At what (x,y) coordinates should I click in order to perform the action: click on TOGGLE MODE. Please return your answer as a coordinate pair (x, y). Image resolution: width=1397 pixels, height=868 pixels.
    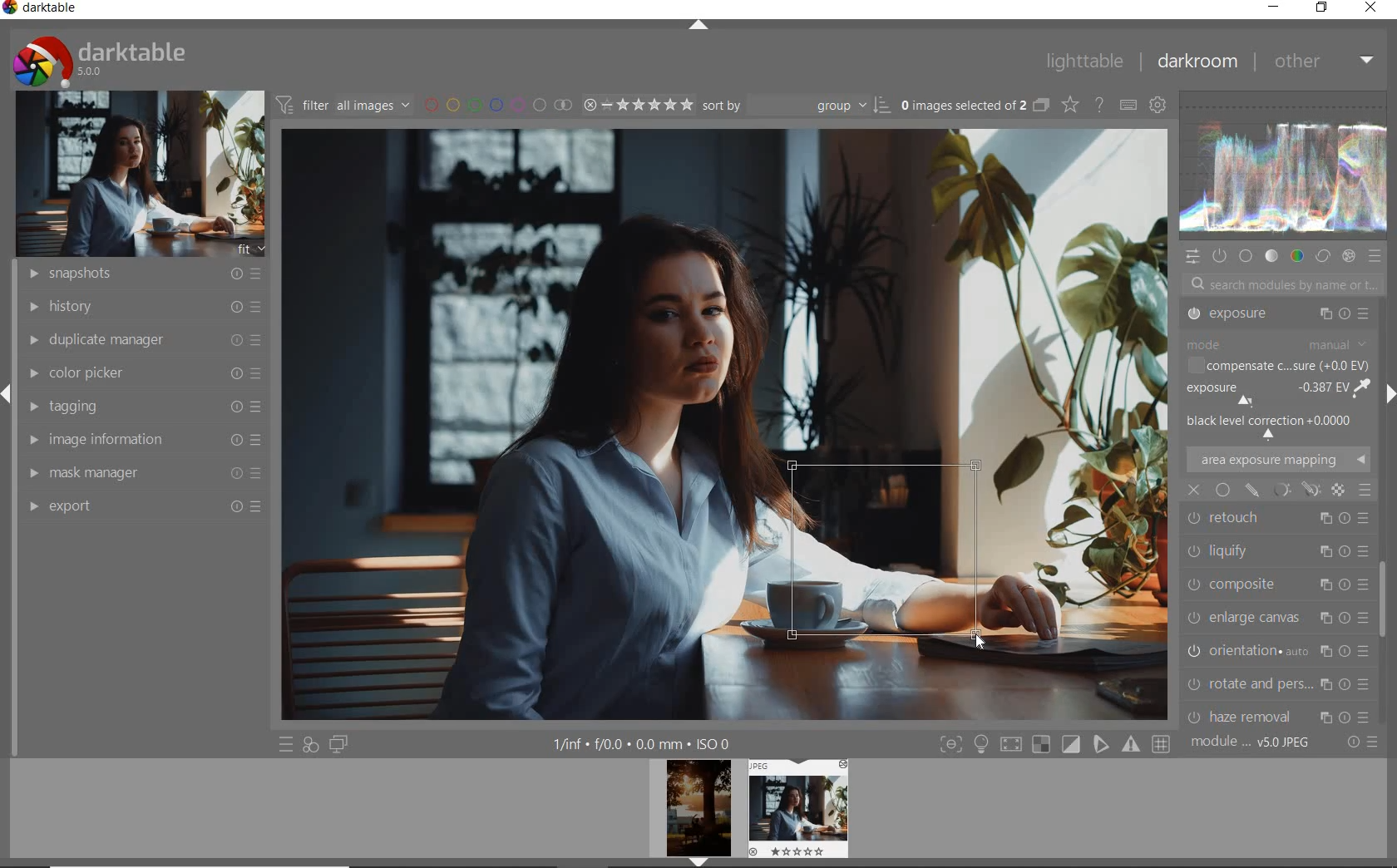
    Looking at the image, I should click on (1054, 744).